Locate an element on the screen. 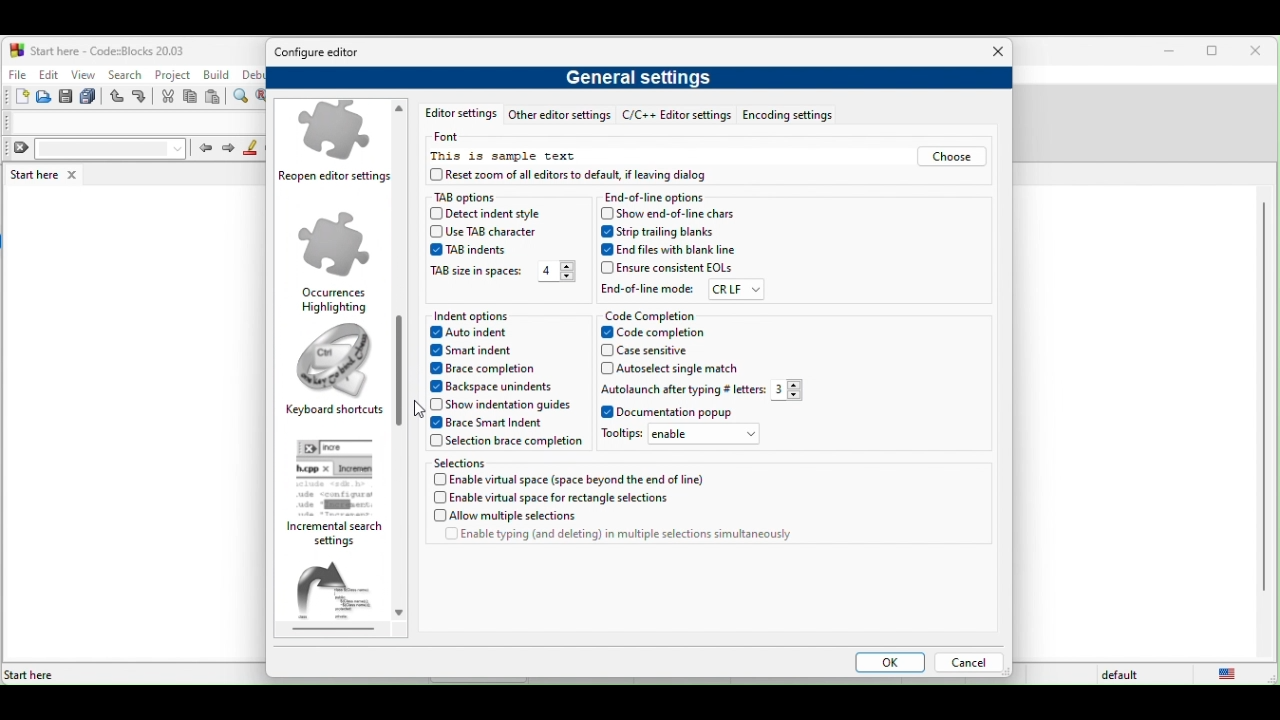  project is located at coordinates (173, 73).